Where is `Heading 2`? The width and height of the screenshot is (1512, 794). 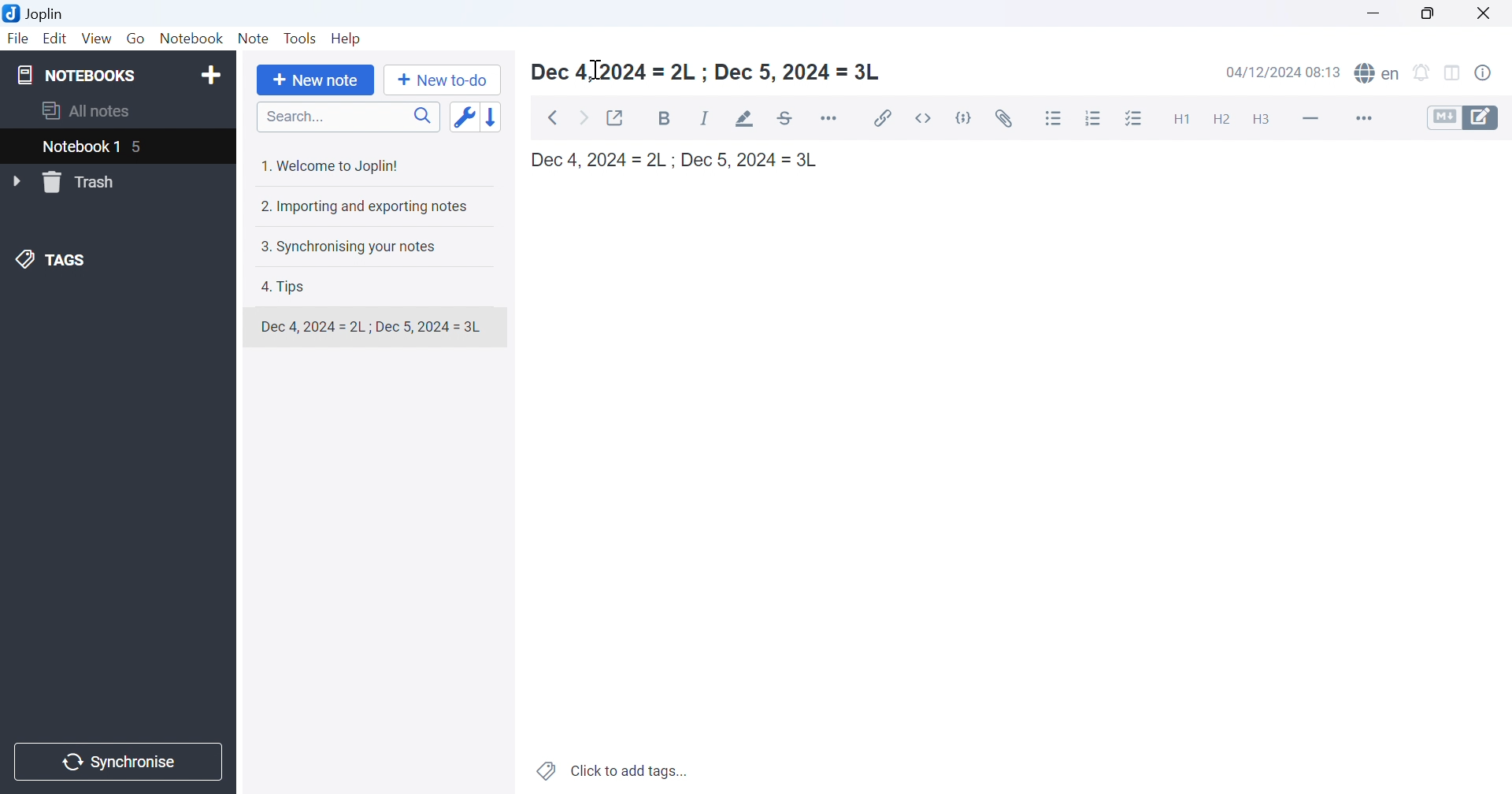
Heading 2 is located at coordinates (1223, 118).